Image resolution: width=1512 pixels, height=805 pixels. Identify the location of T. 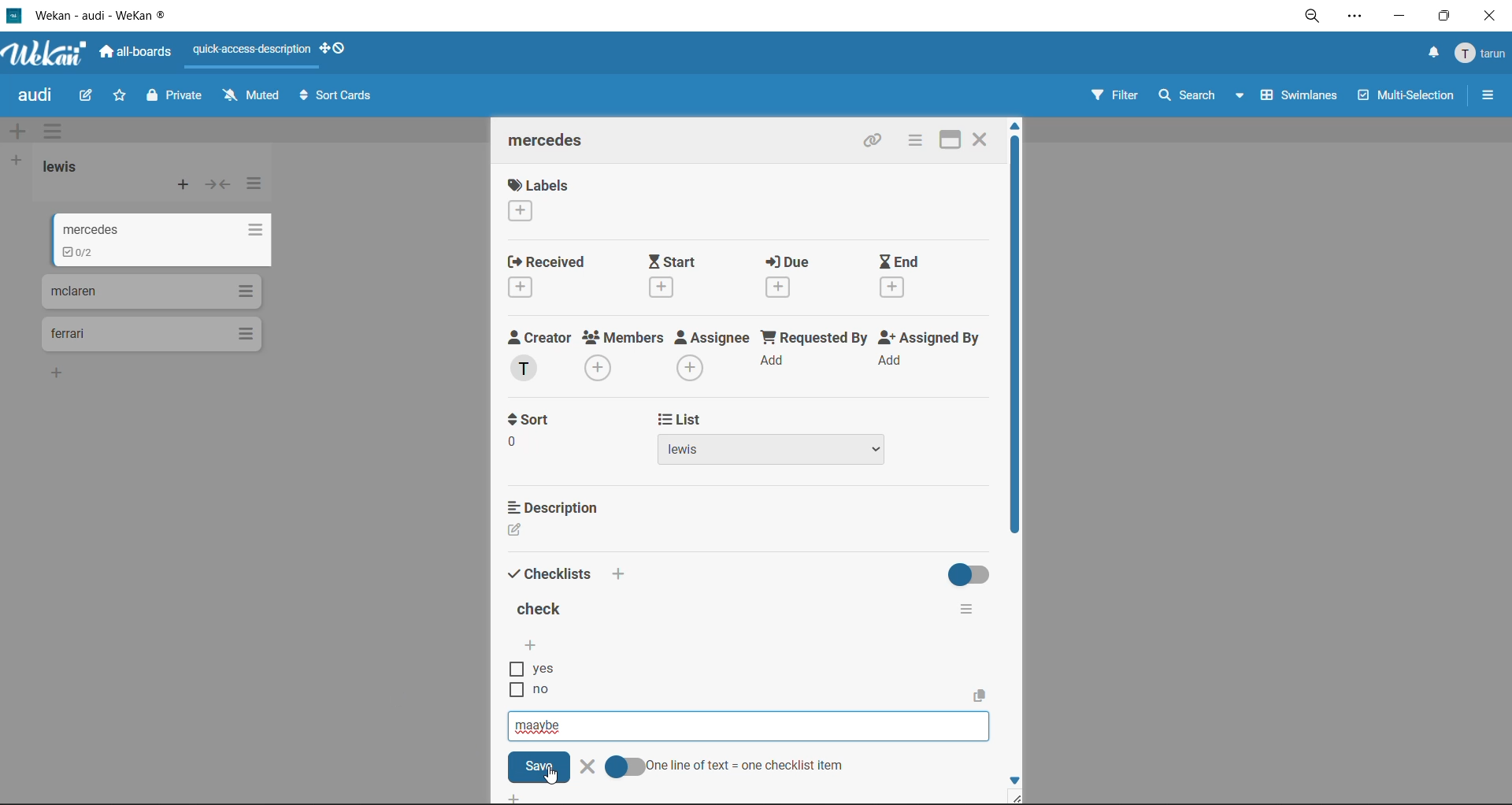
(524, 369).